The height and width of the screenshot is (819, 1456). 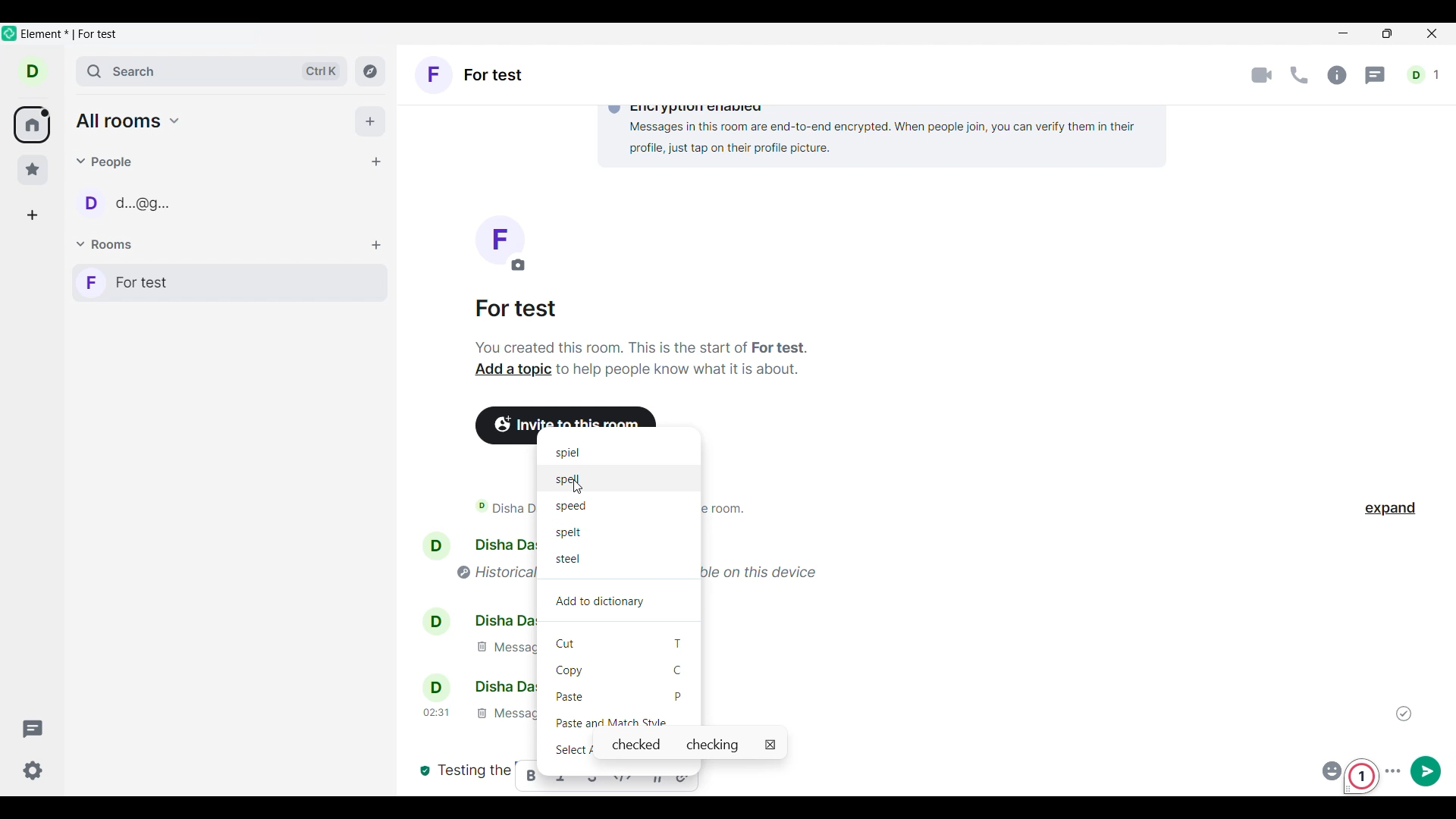 What do you see at coordinates (473, 620) in the screenshot?
I see `disha das` at bounding box center [473, 620].